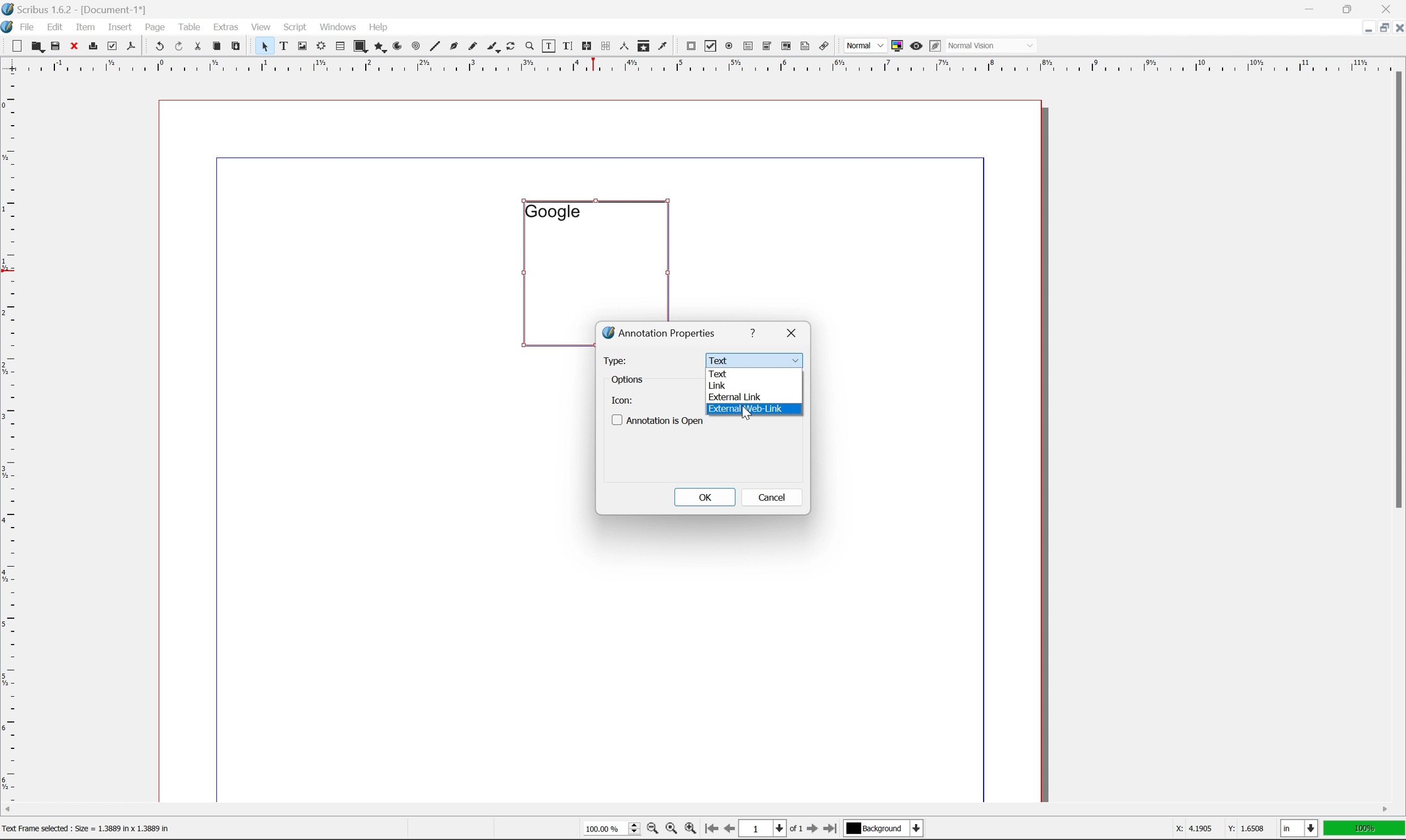  I want to click on redo, so click(180, 47).